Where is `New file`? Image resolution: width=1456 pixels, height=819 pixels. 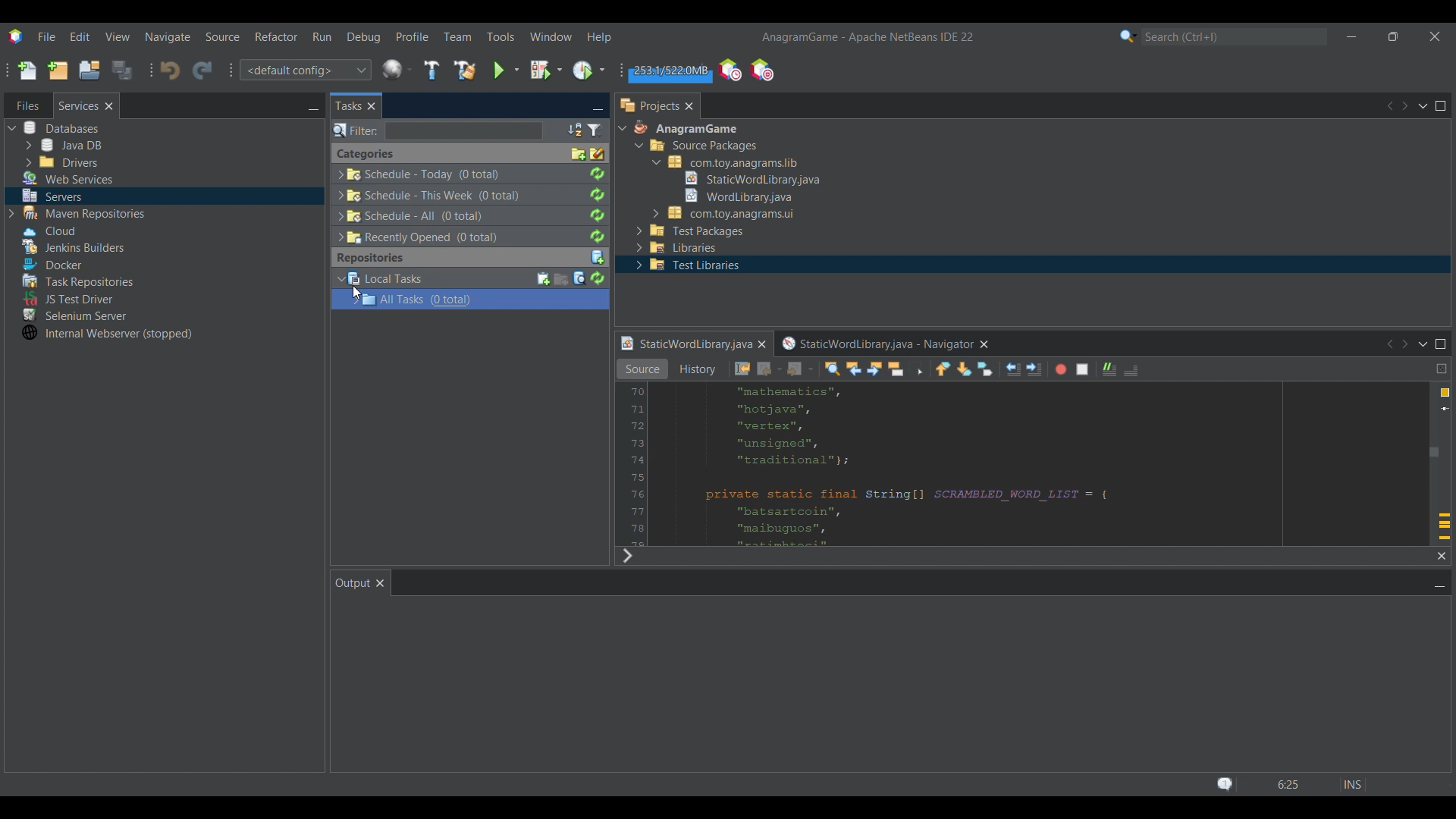
New file is located at coordinates (27, 71).